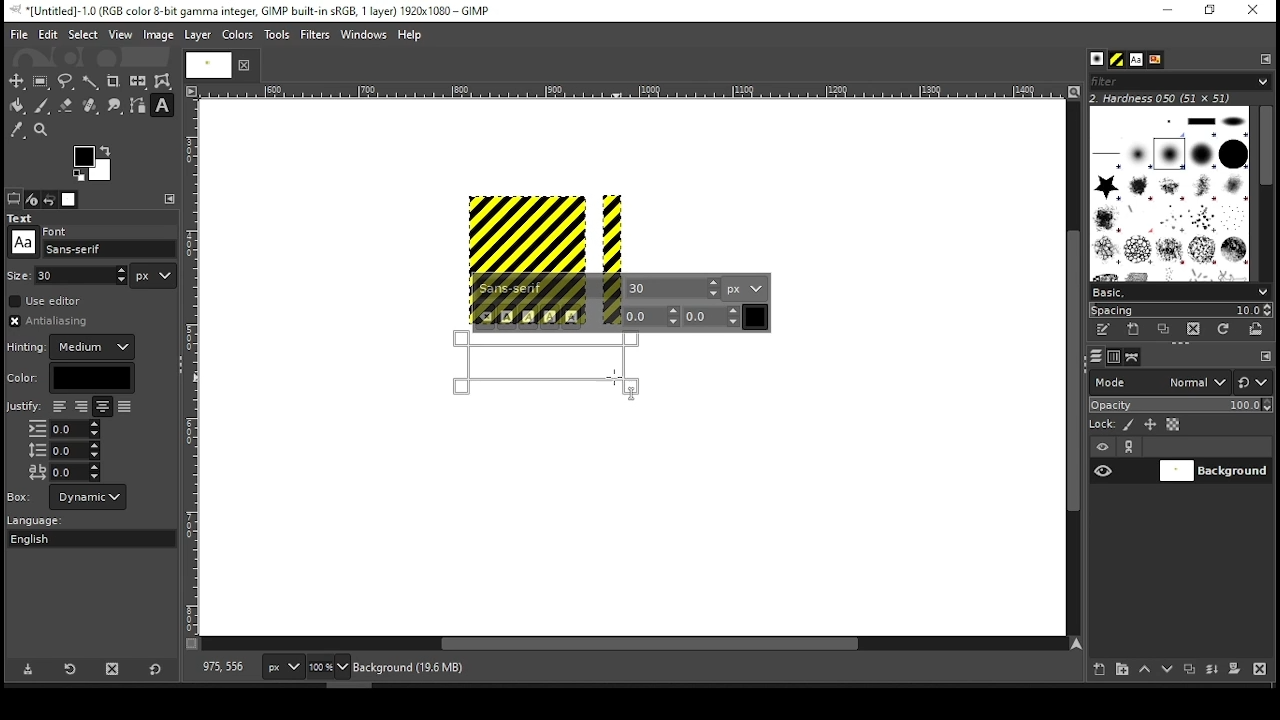 The width and height of the screenshot is (1280, 720). Describe the element at coordinates (138, 80) in the screenshot. I see `flip tool` at that location.